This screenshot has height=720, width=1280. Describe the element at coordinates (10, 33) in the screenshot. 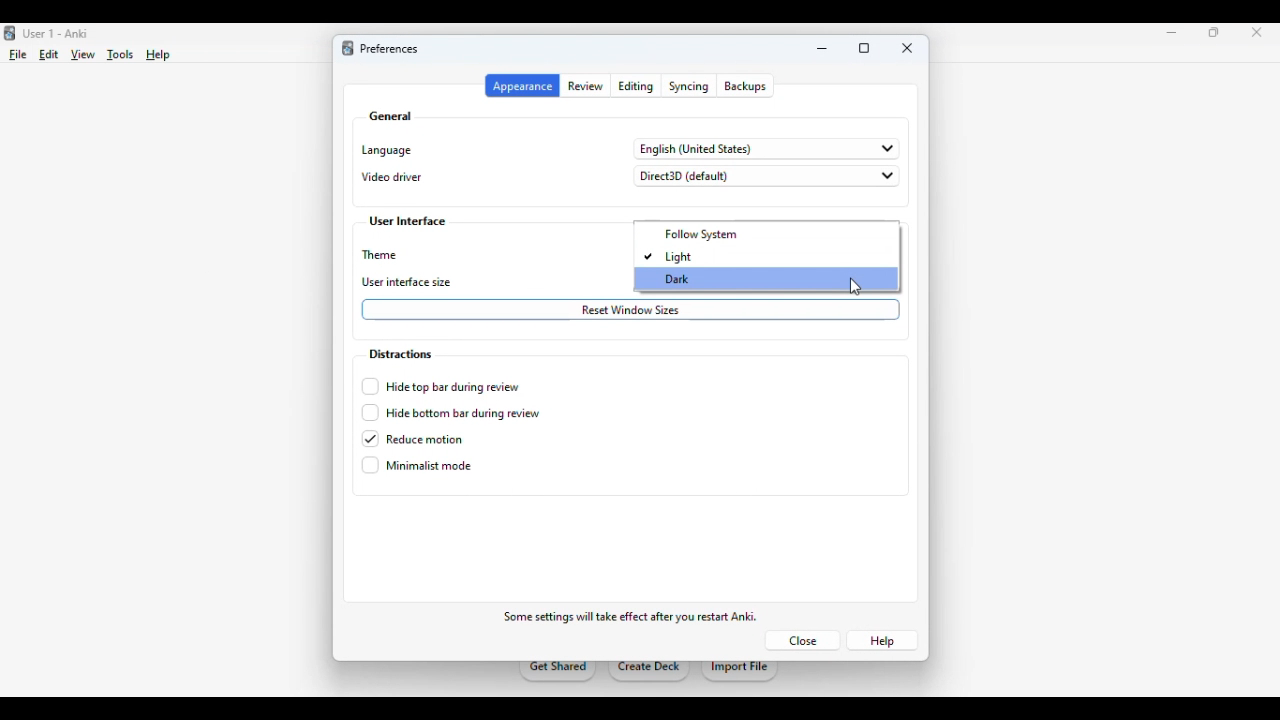

I see `logo` at that location.